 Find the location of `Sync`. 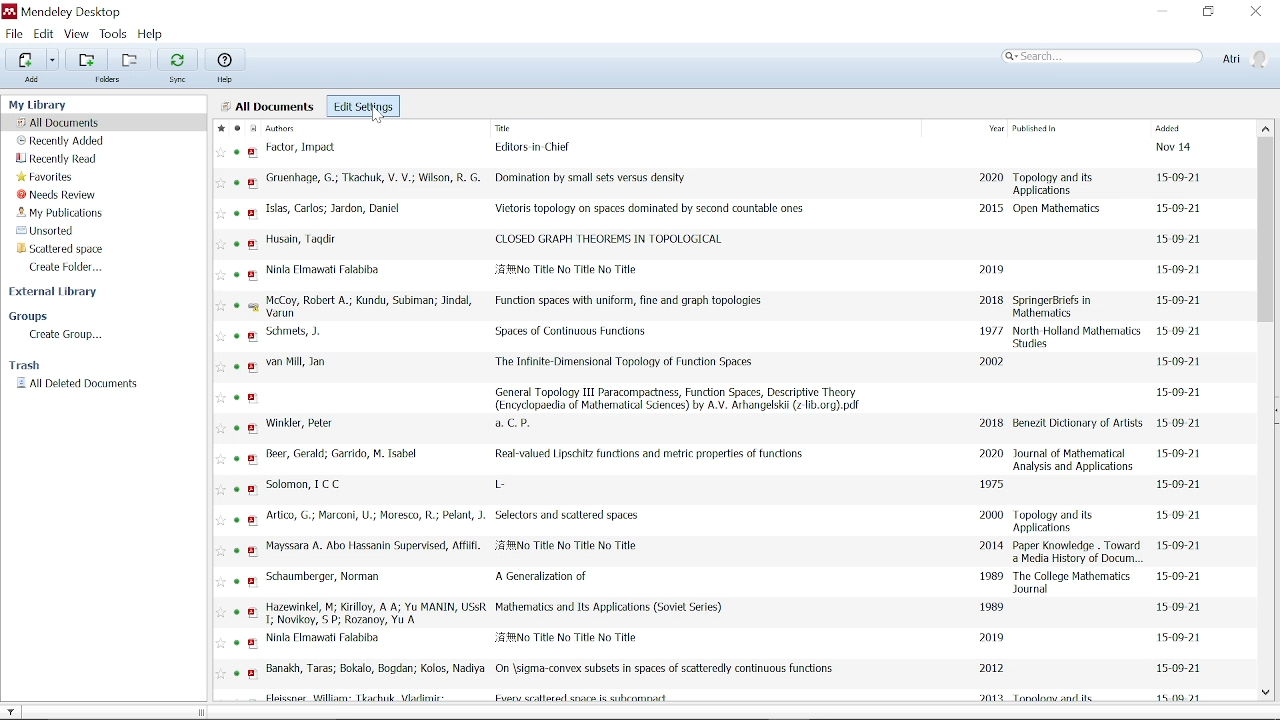

Sync is located at coordinates (177, 58).